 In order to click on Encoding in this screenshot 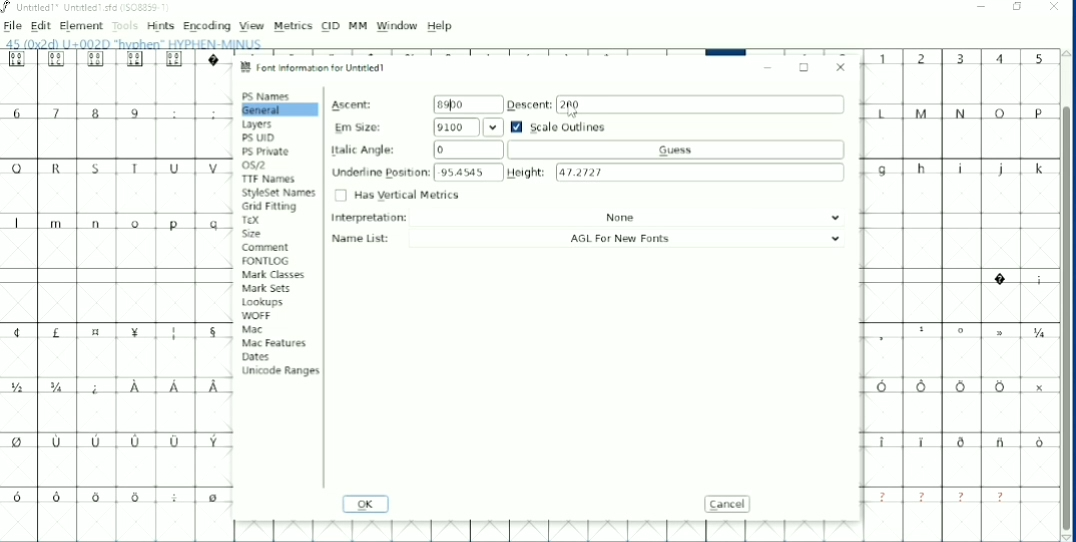, I will do `click(206, 26)`.